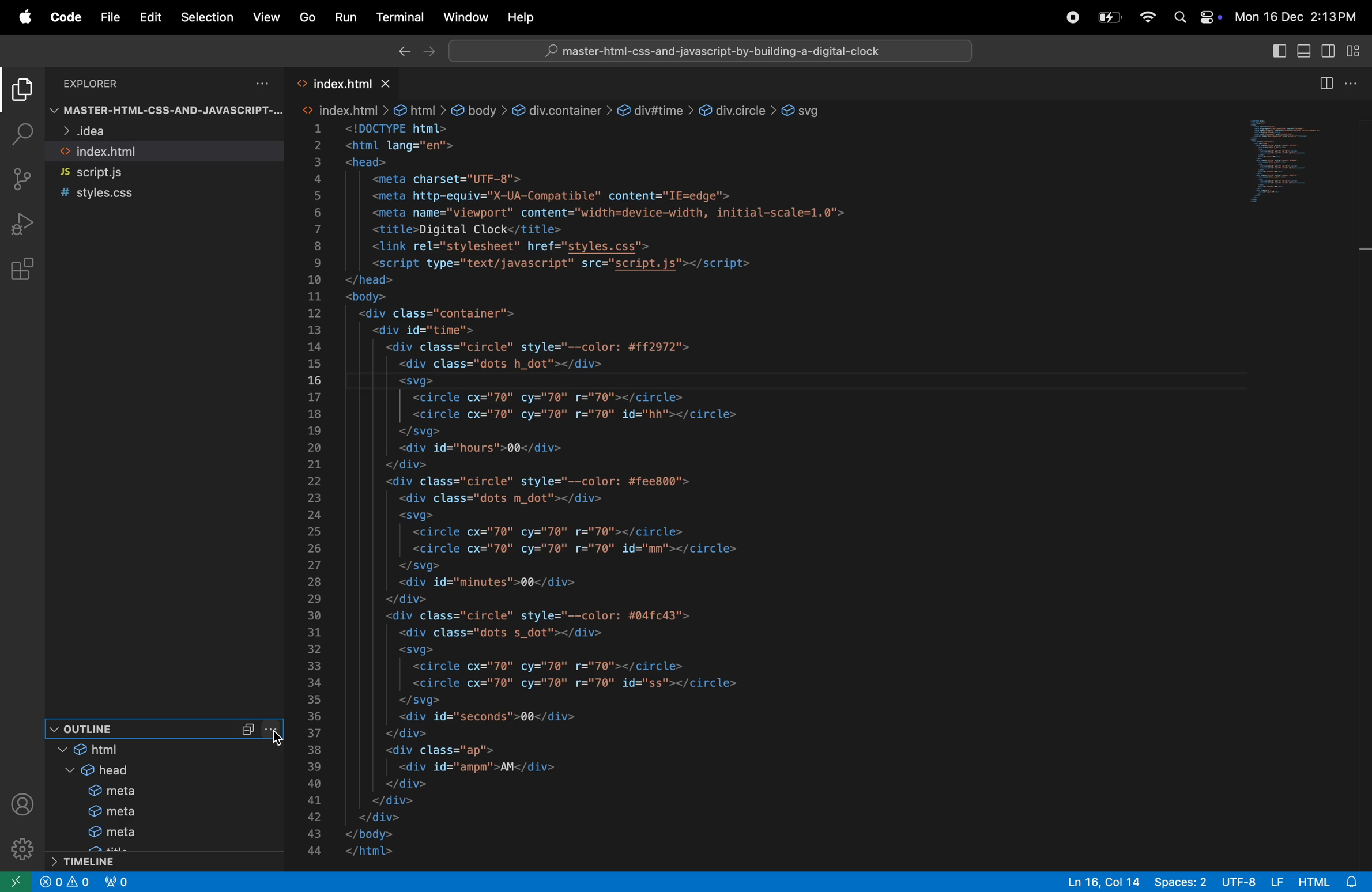 This screenshot has height=892, width=1372. Describe the element at coordinates (146, 133) in the screenshot. I see `idea` at that location.